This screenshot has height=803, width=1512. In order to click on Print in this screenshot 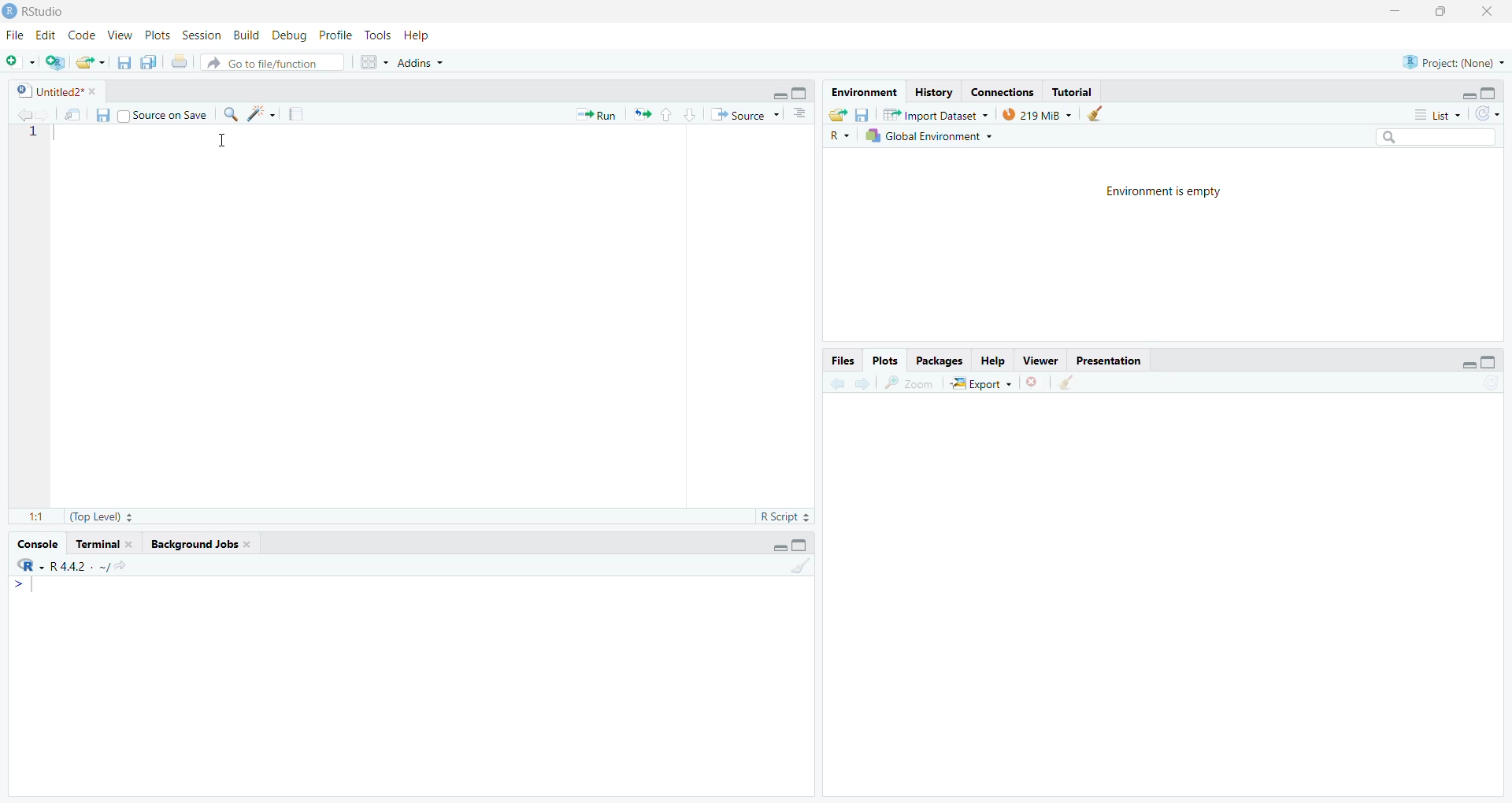, I will do `click(181, 61)`.